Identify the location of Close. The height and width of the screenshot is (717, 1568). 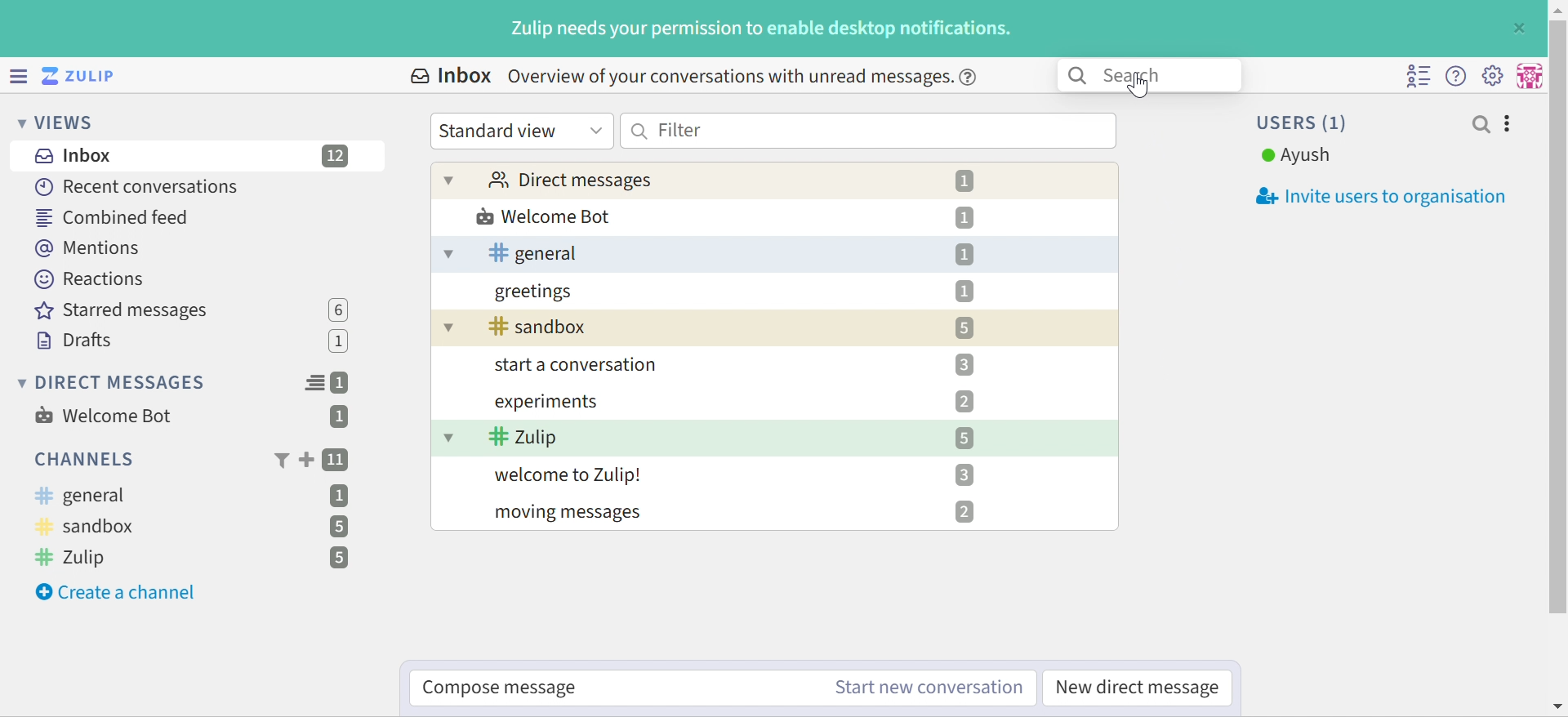
(1521, 27).